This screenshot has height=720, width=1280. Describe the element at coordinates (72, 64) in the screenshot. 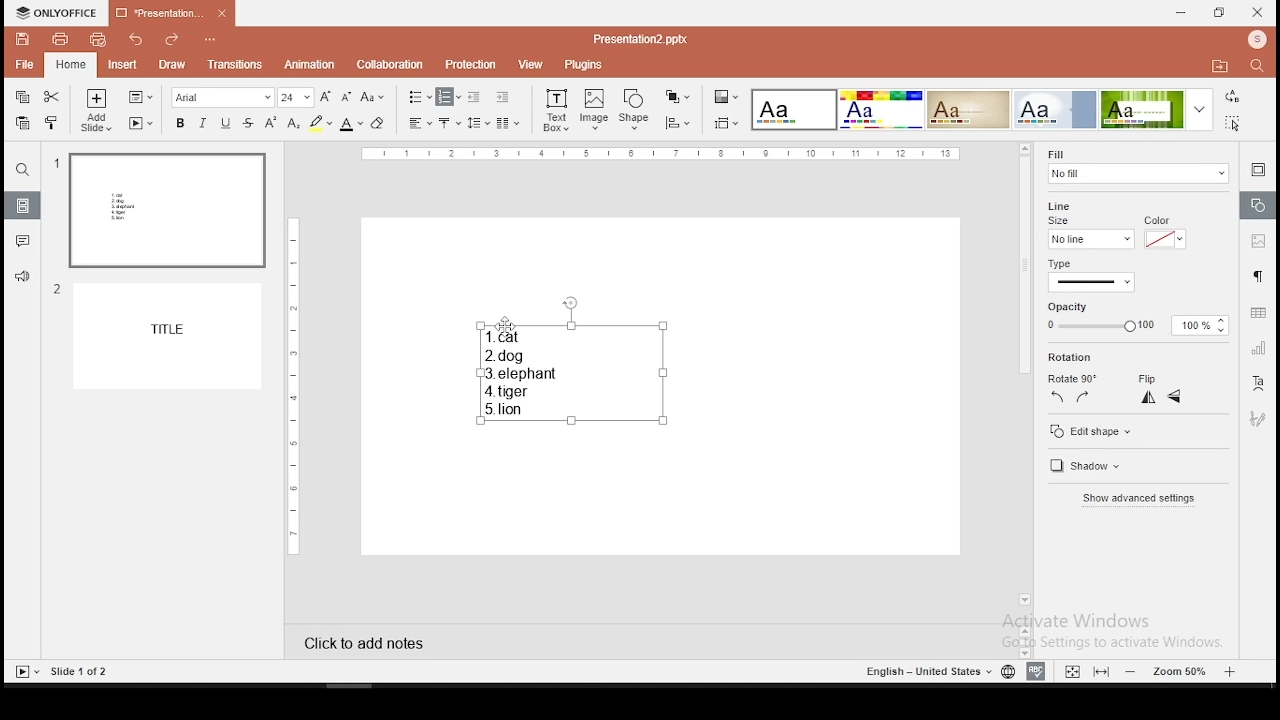

I see `home` at that location.